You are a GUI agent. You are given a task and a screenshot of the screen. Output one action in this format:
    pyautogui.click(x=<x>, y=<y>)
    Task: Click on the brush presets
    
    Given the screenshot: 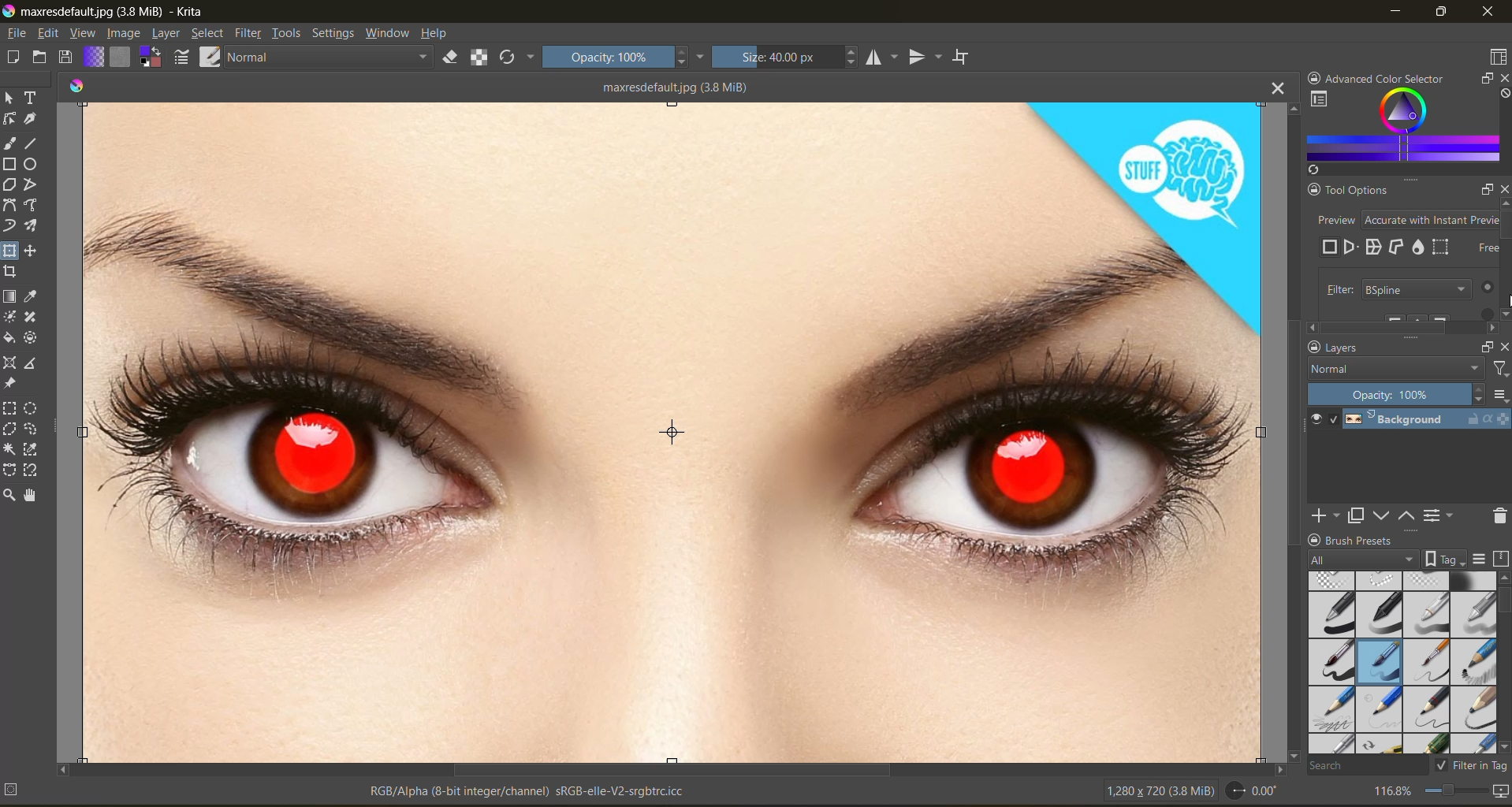 What is the action you would take?
    pyautogui.click(x=1402, y=663)
    